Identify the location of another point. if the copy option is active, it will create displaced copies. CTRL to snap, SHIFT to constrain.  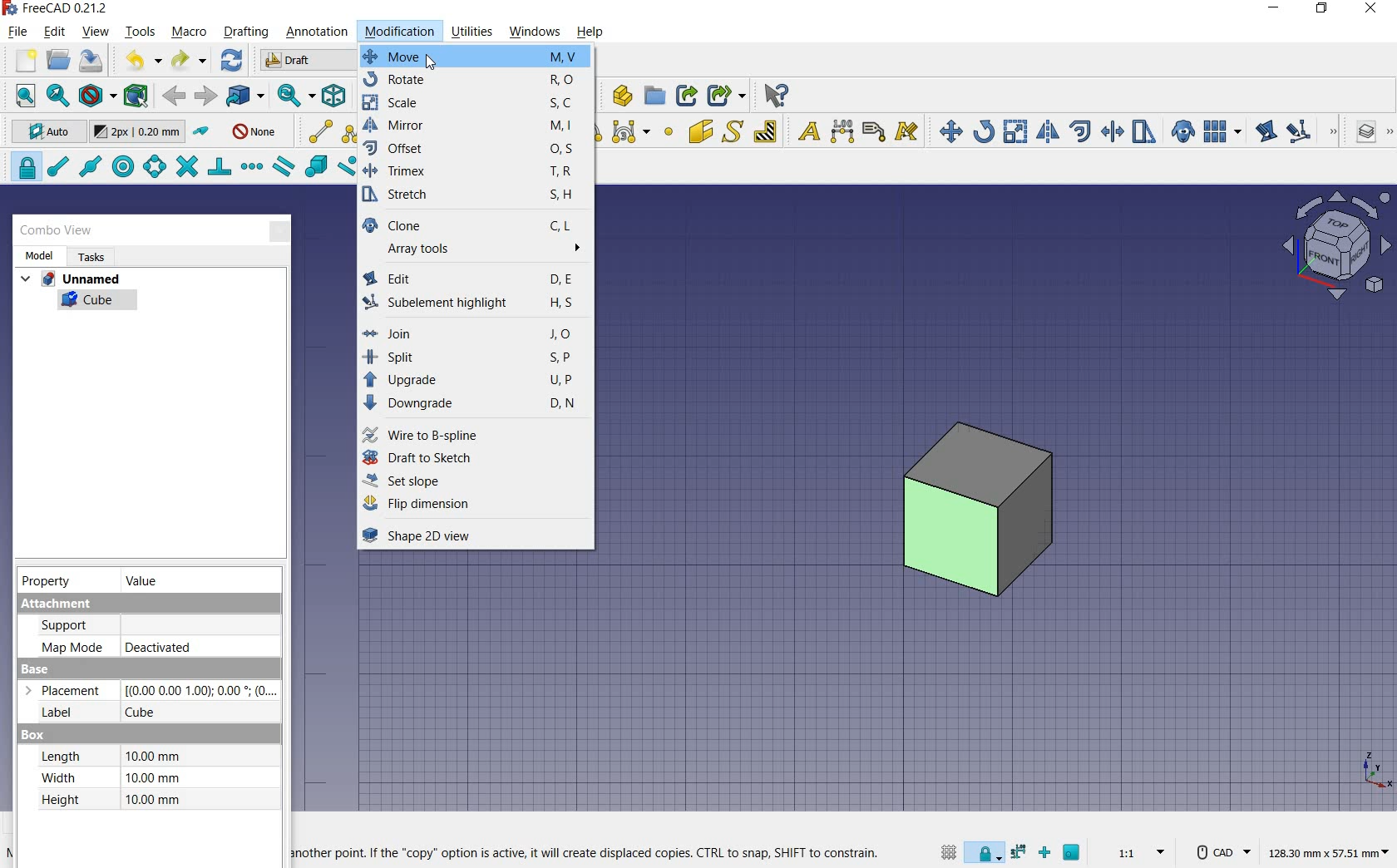
(590, 854).